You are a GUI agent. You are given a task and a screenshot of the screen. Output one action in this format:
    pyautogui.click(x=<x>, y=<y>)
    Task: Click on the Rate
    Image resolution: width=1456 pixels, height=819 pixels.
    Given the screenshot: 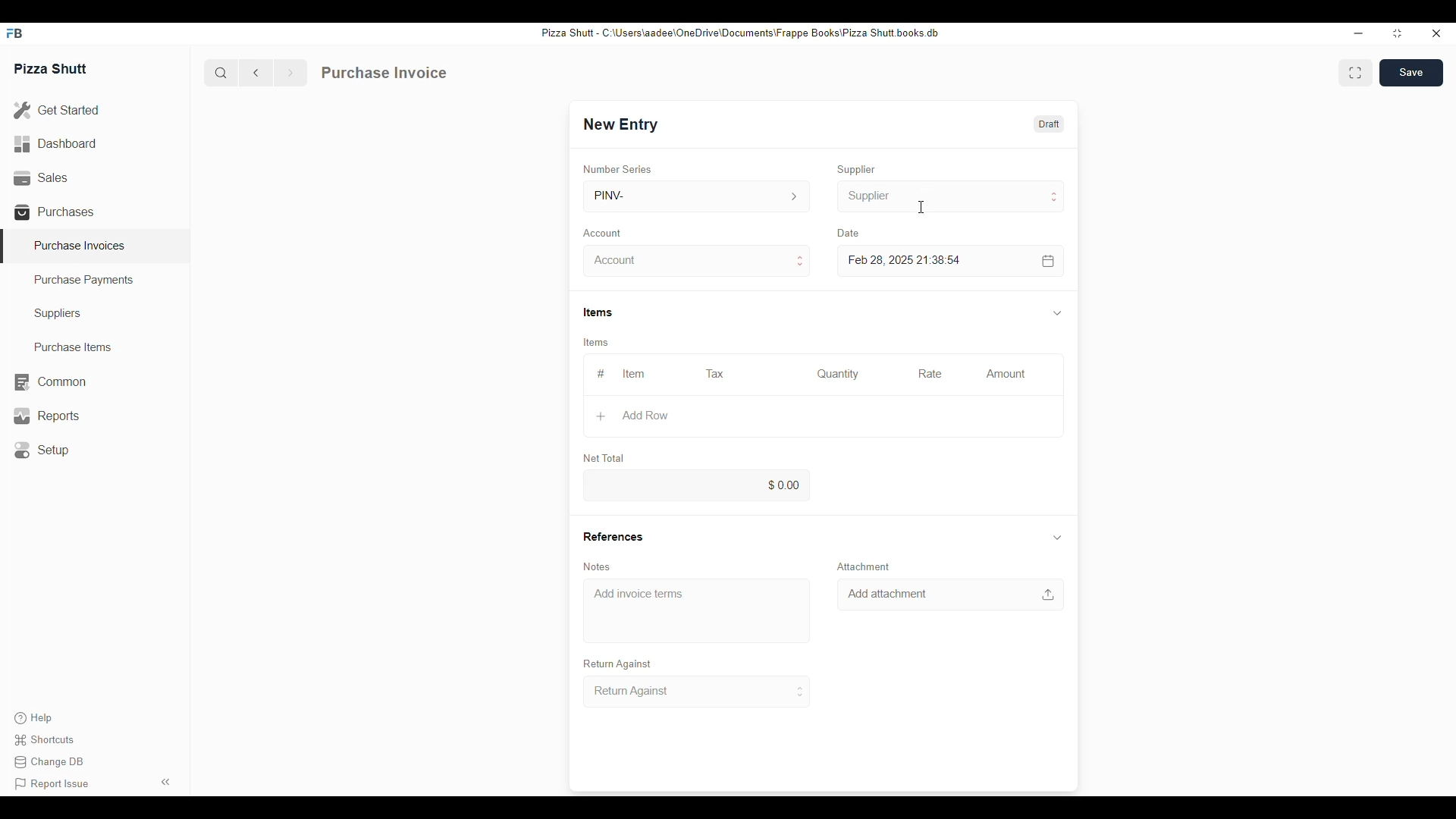 What is the action you would take?
    pyautogui.click(x=929, y=372)
    